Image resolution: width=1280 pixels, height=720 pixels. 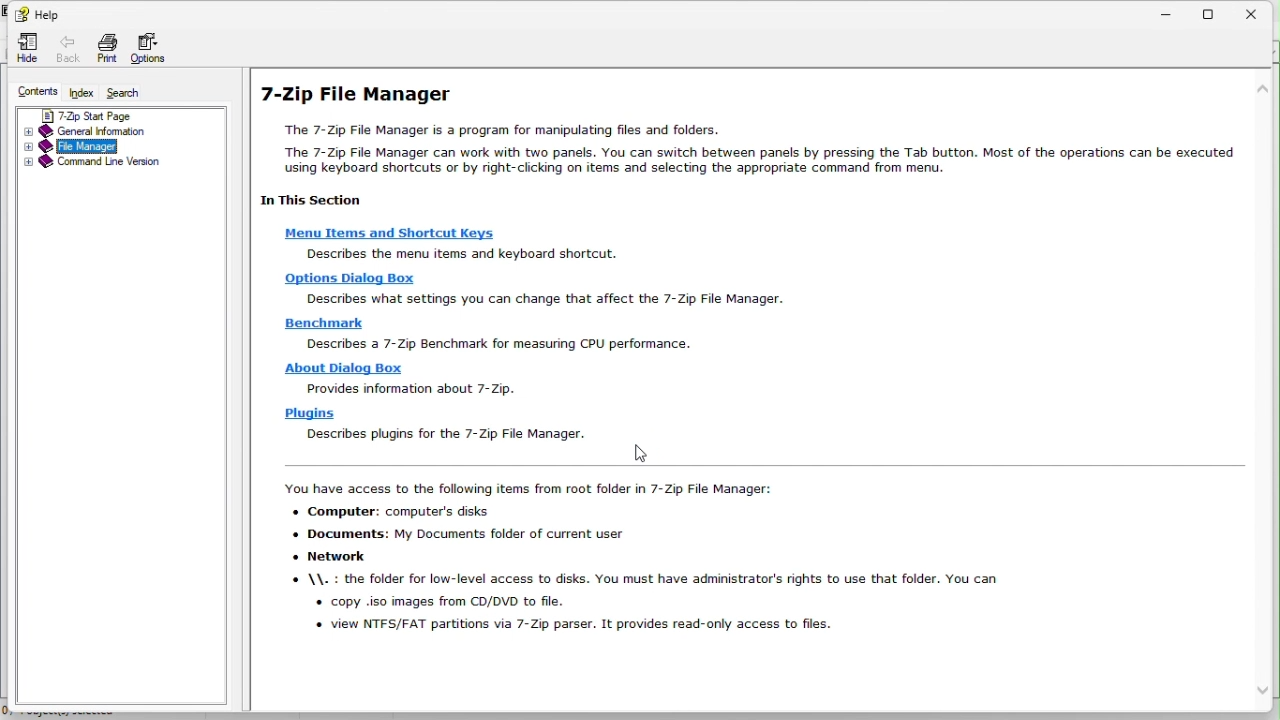 I want to click on Manu items and shortcut keys, so click(x=390, y=232).